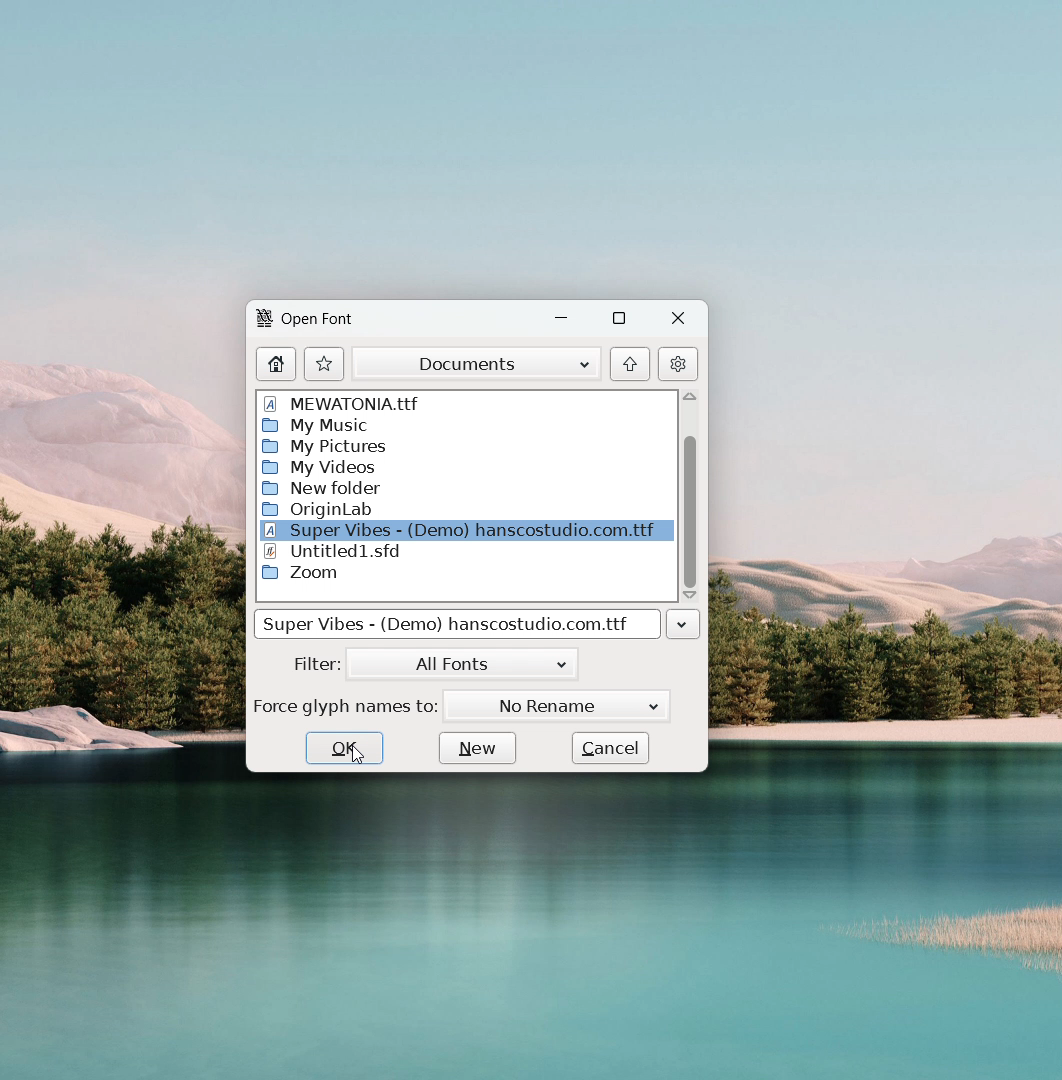  What do you see at coordinates (557, 705) in the screenshot?
I see `No Rename` at bounding box center [557, 705].